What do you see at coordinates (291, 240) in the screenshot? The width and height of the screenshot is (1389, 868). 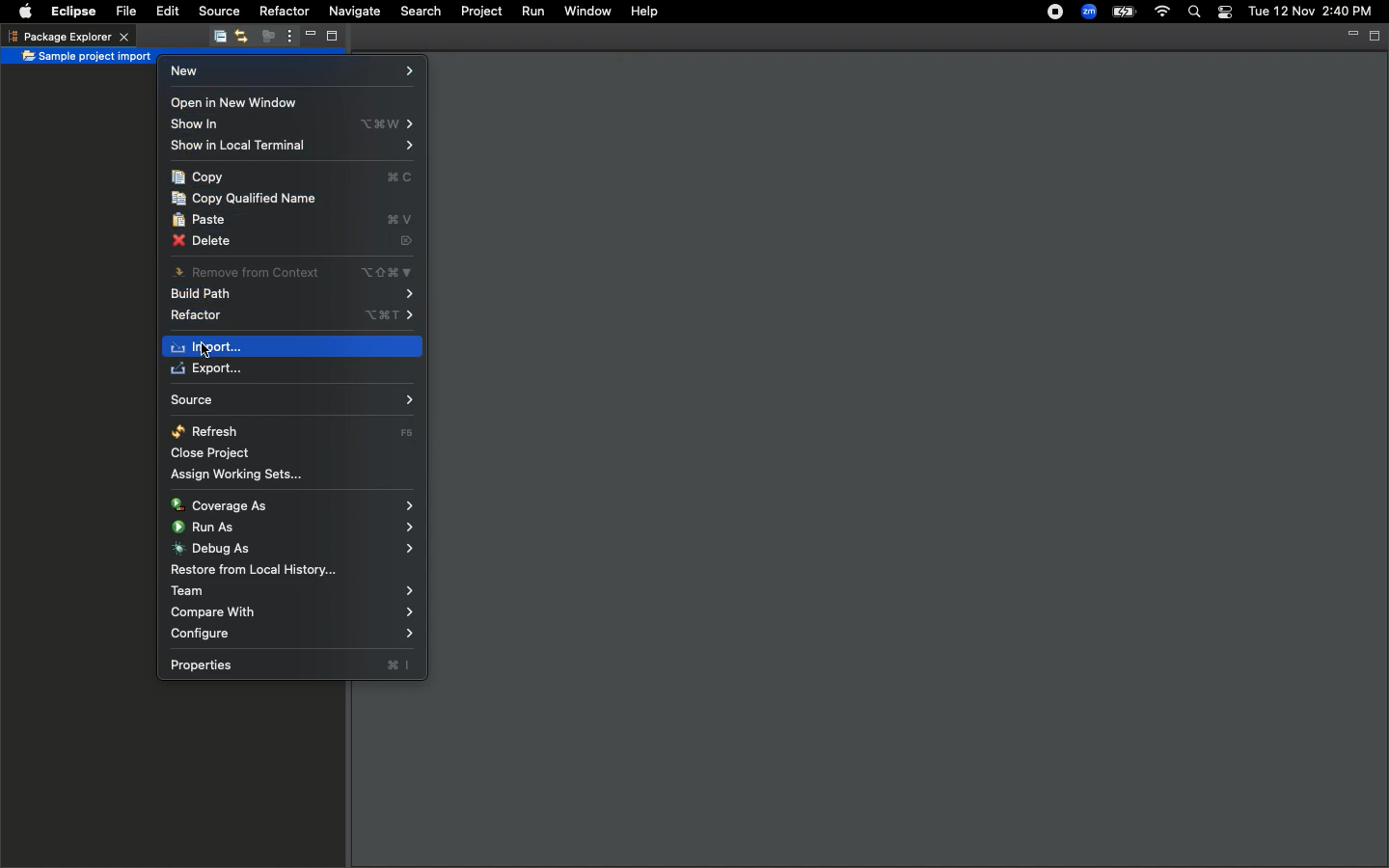 I see `Delete` at bounding box center [291, 240].